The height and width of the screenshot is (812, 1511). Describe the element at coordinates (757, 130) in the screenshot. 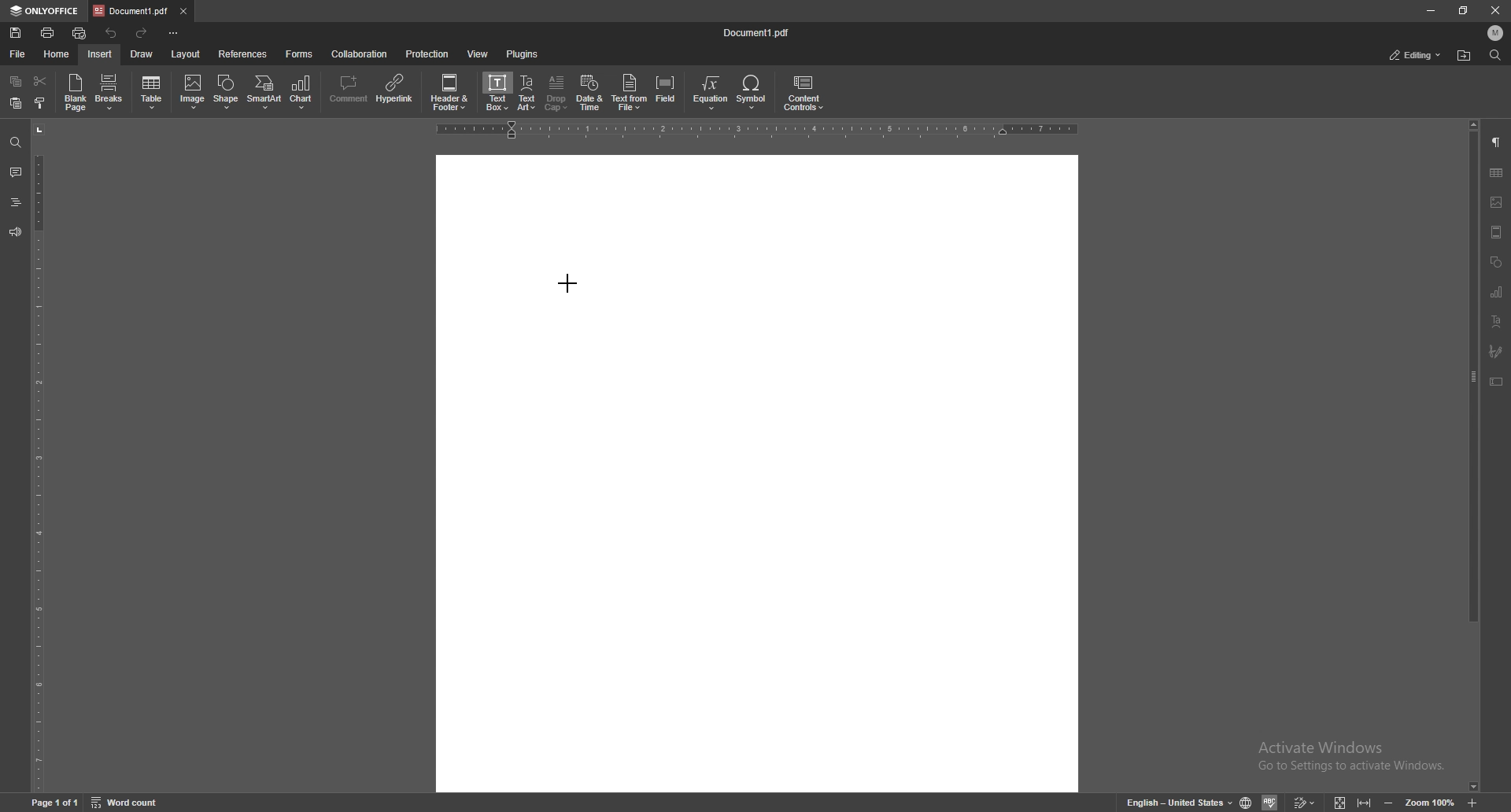

I see `horizontal scale` at that location.